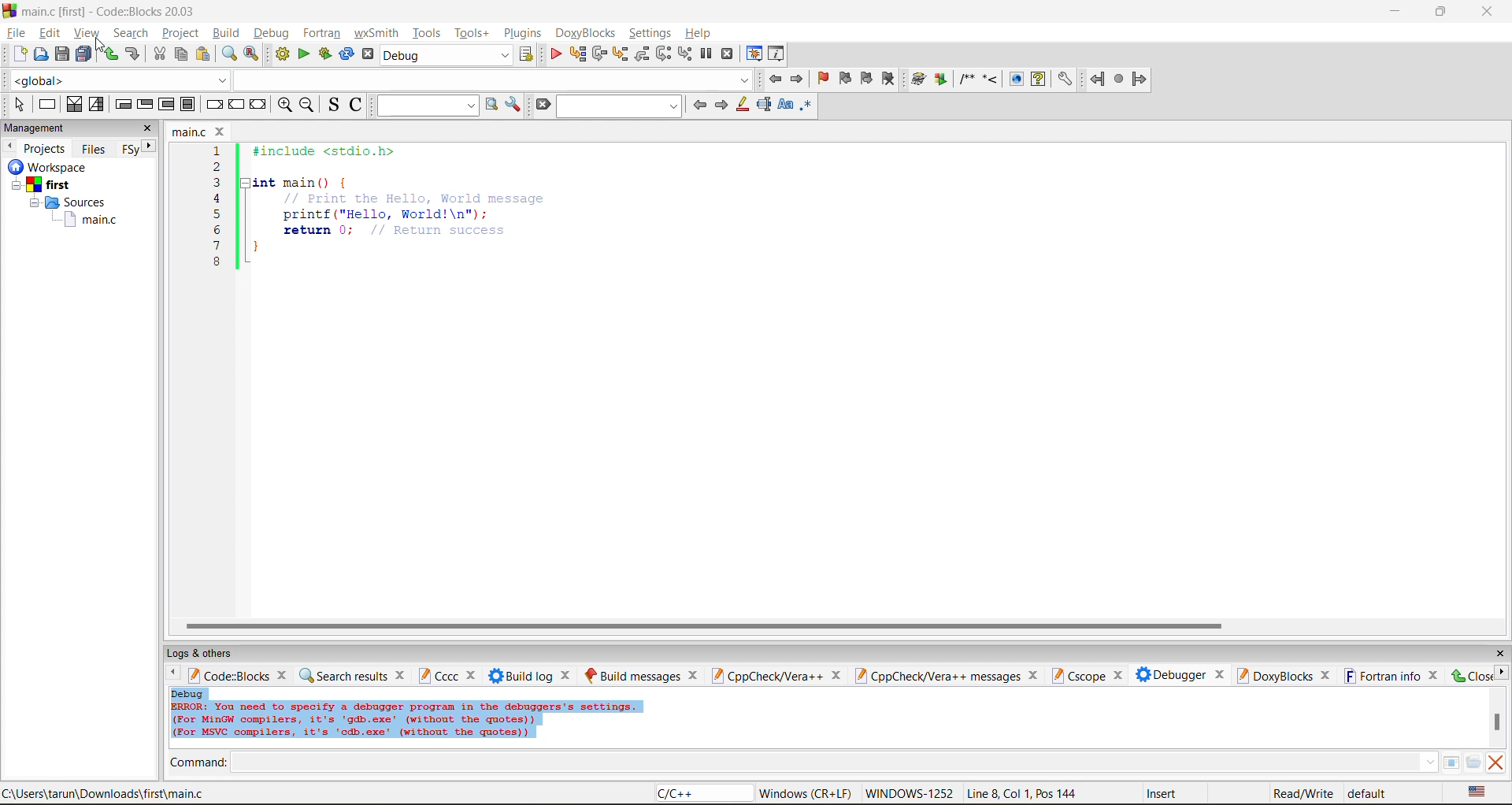 Image resolution: width=1512 pixels, height=805 pixels. Describe the element at coordinates (687, 55) in the screenshot. I see `step into instruction` at that location.